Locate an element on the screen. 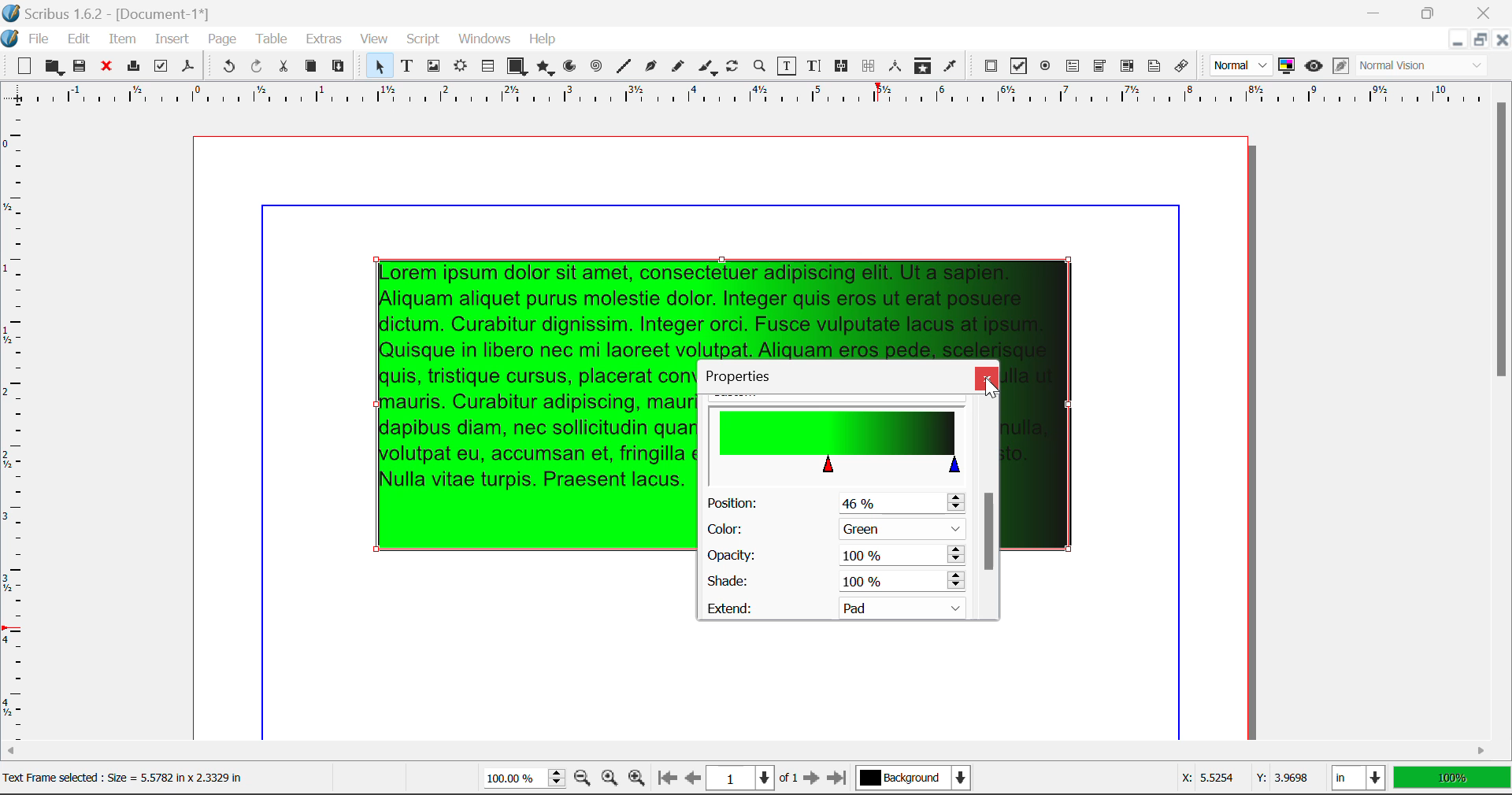 The height and width of the screenshot is (795, 1512). Line is located at coordinates (624, 67).